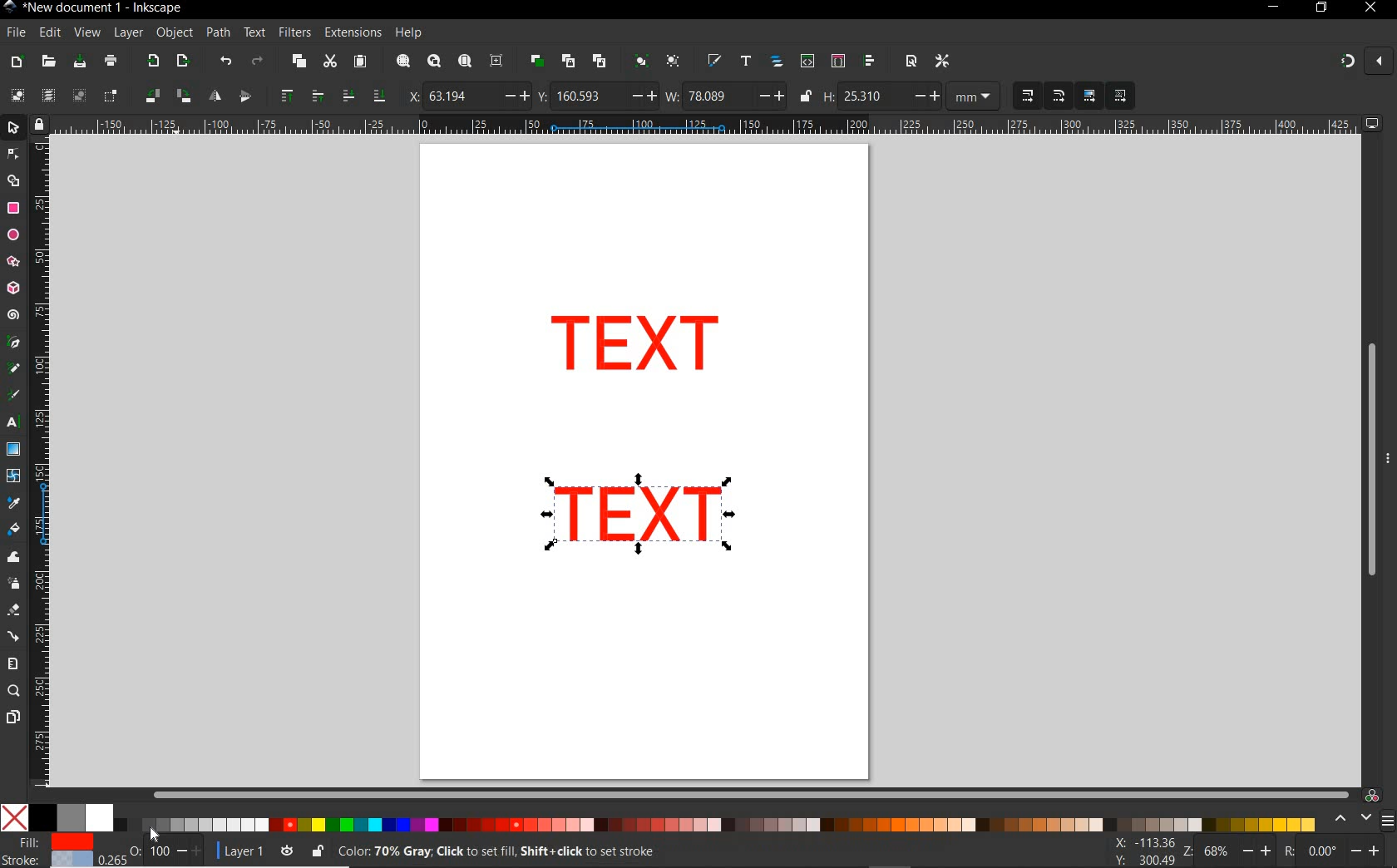 The height and width of the screenshot is (868, 1397). Describe the element at coordinates (1043, 96) in the screenshot. I see `SCALING` at that location.